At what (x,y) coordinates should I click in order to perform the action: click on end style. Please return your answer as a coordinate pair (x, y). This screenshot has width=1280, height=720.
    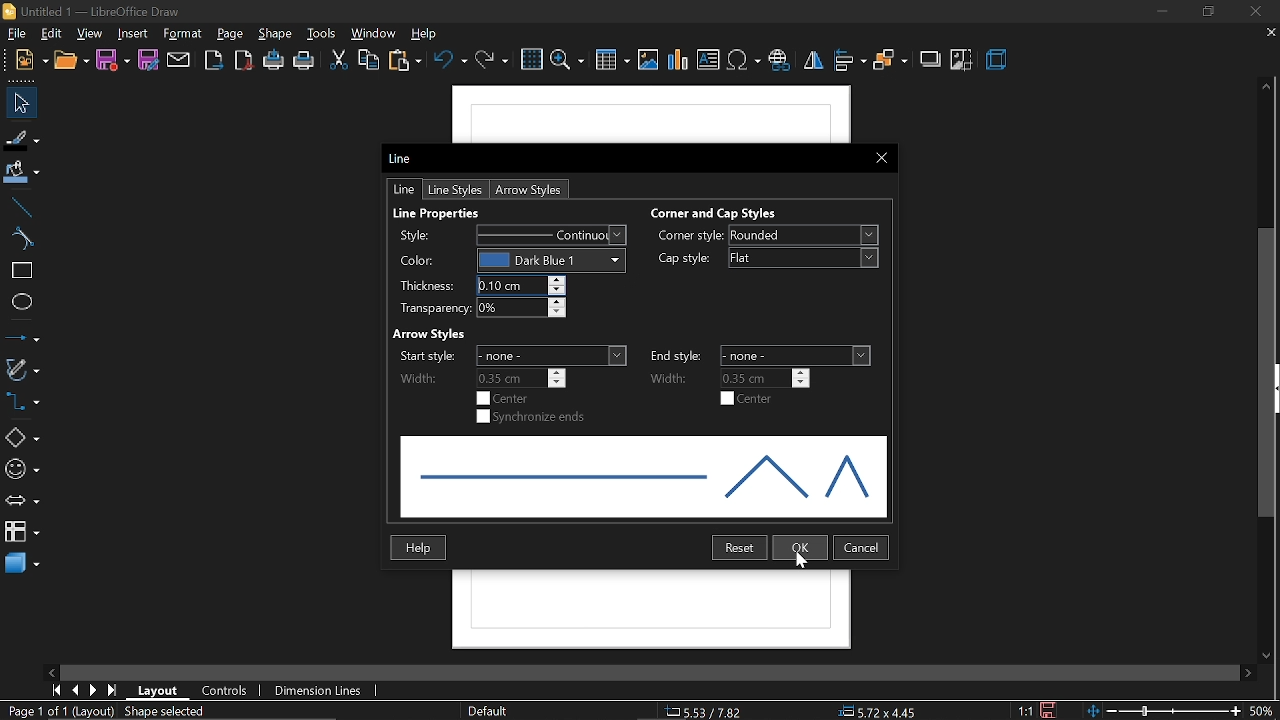
    Looking at the image, I should click on (797, 356).